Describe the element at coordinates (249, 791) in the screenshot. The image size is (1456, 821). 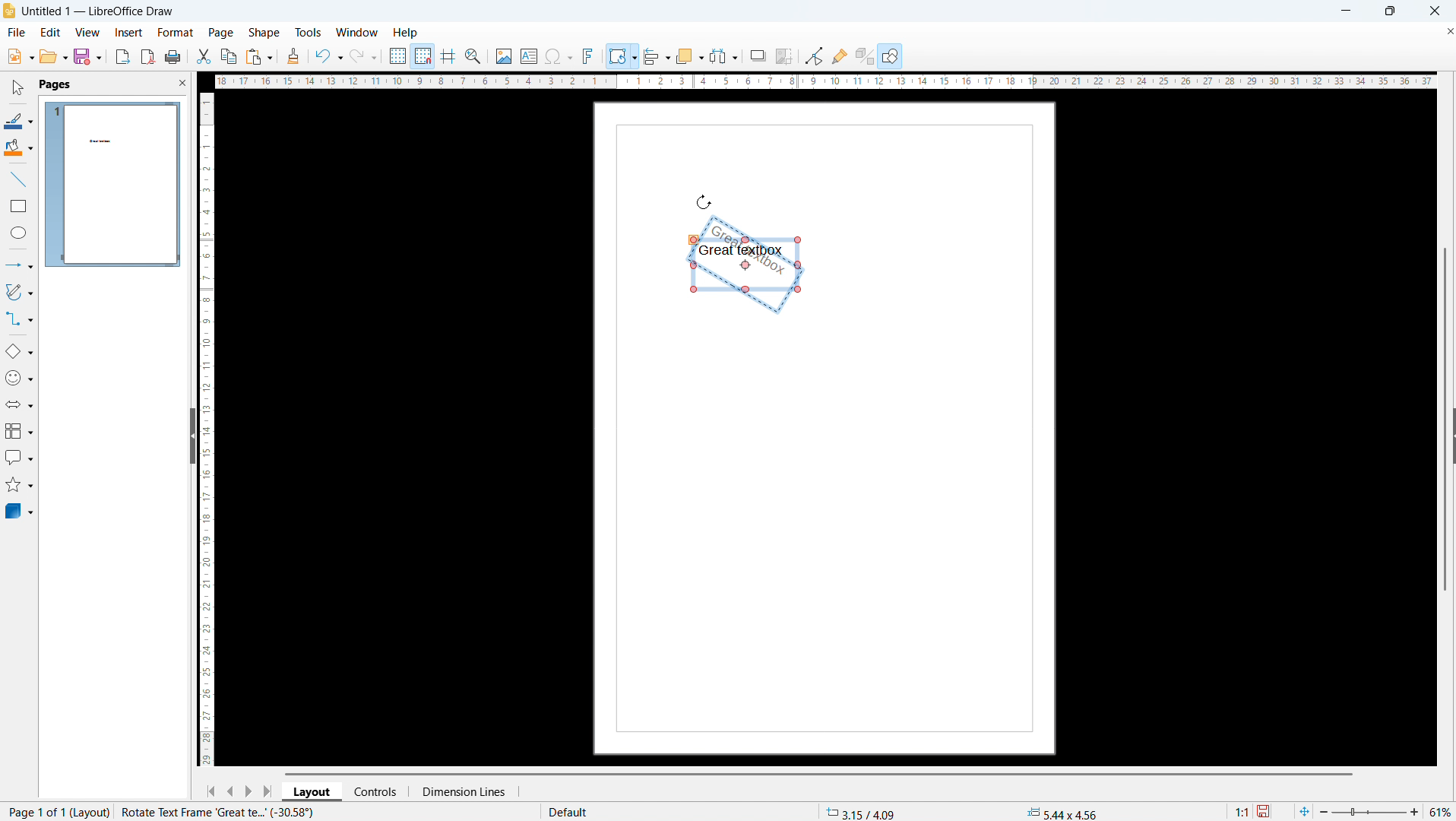
I see `next page` at that location.